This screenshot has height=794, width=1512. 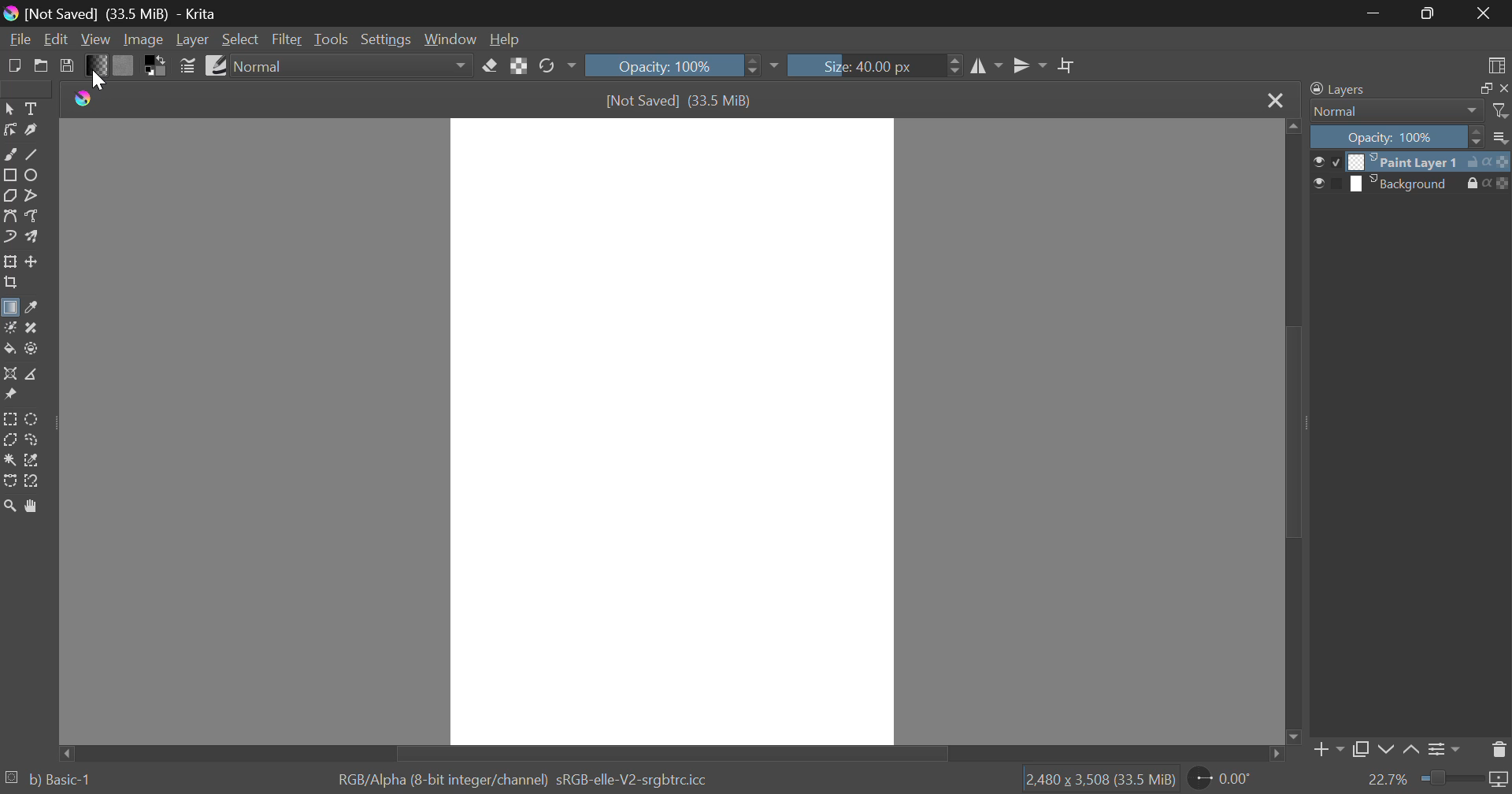 I want to click on Zoom, so click(x=9, y=506).